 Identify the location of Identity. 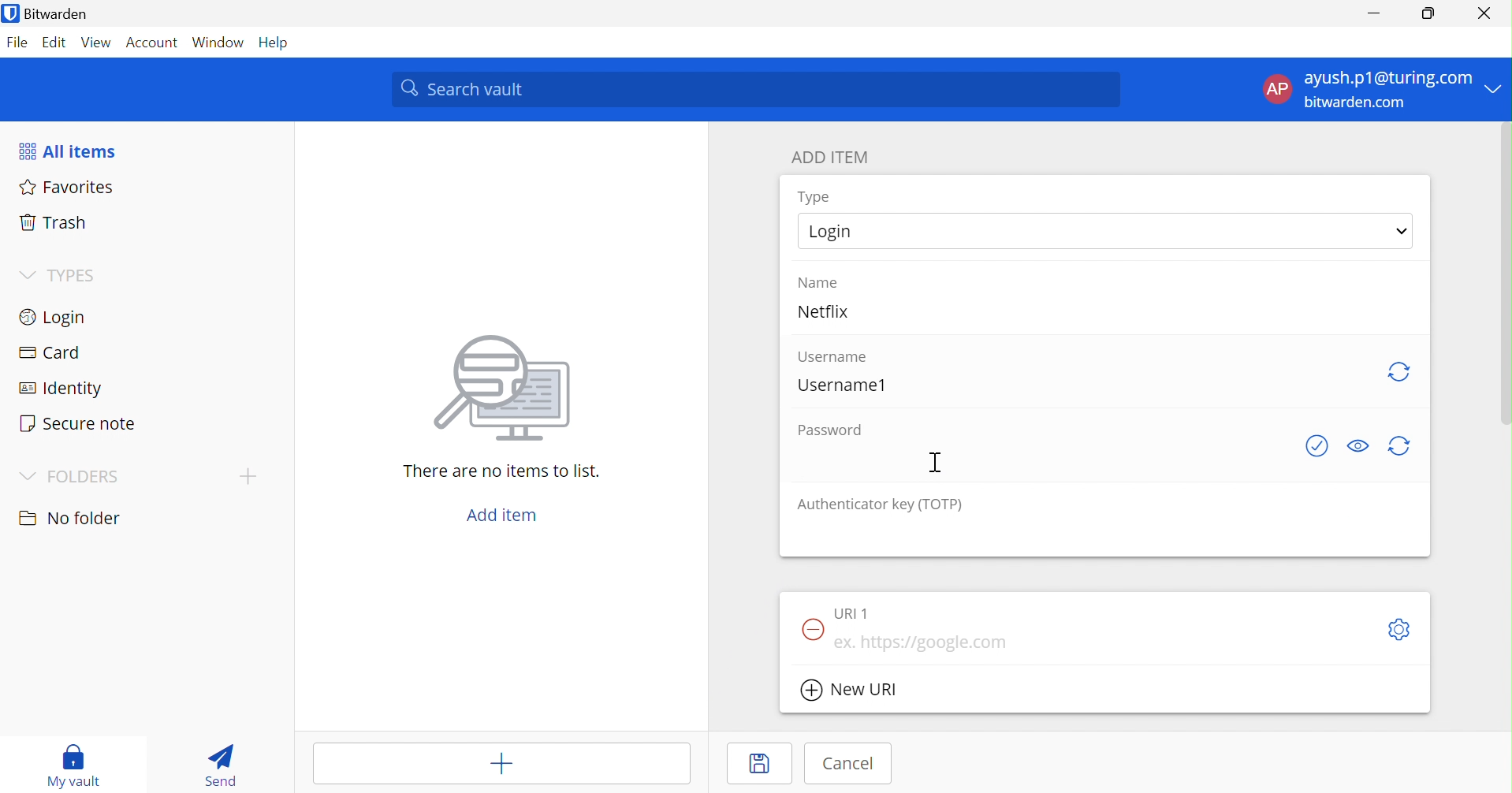
(57, 387).